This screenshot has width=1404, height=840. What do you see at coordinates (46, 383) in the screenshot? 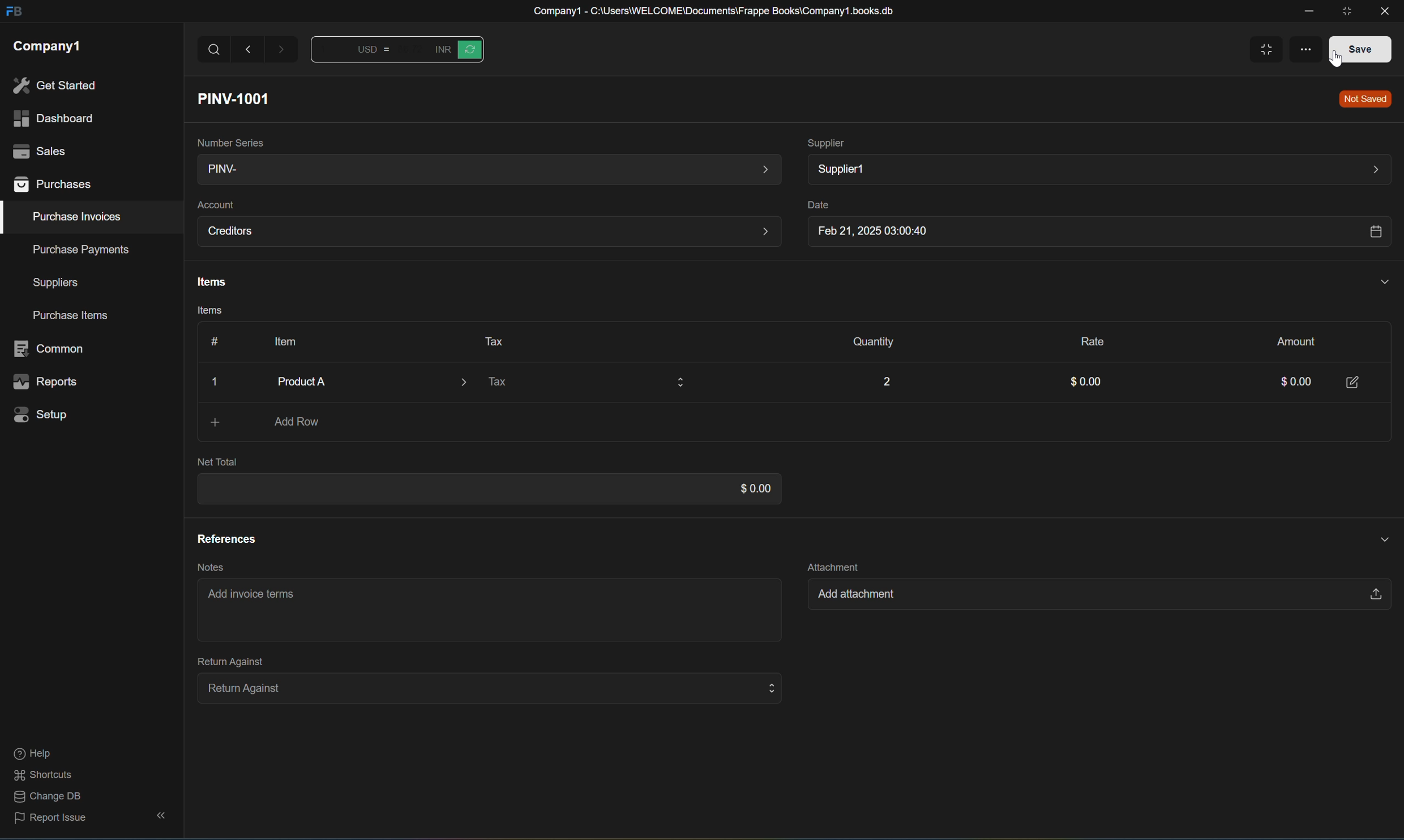
I see `reports` at bounding box center [46, 383].